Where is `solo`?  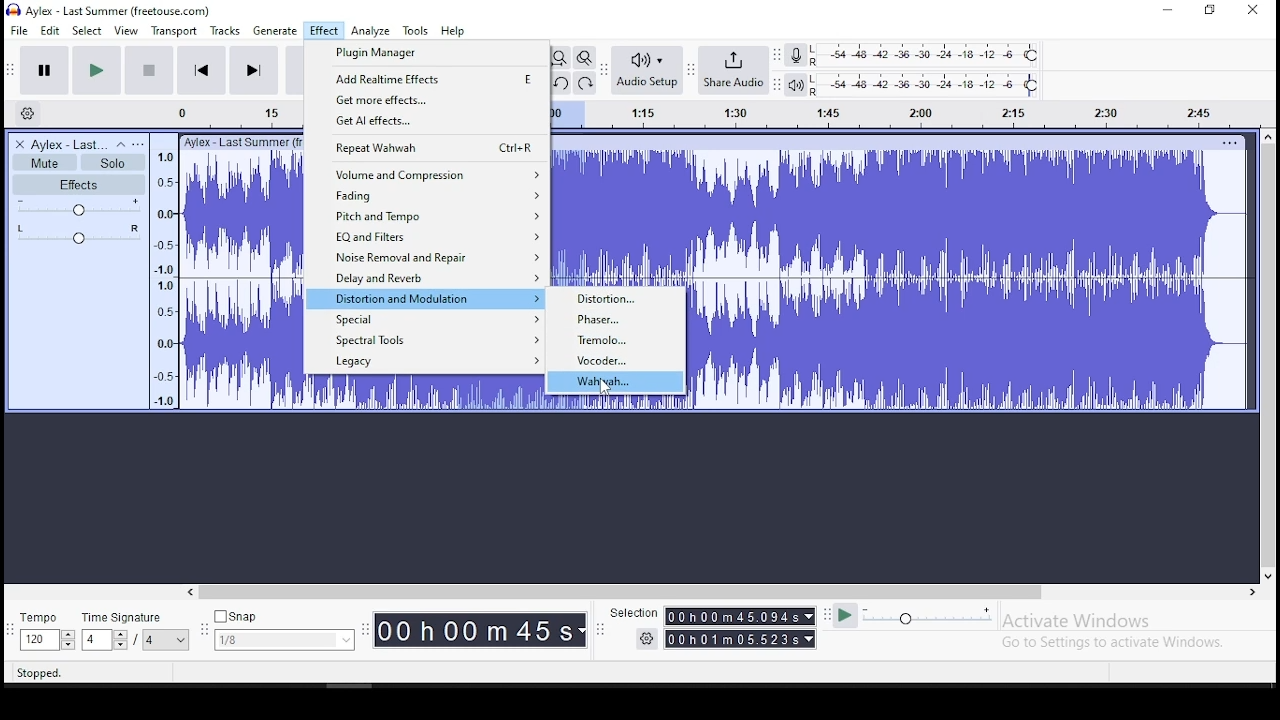 solo is located at coordinates (112, 163).